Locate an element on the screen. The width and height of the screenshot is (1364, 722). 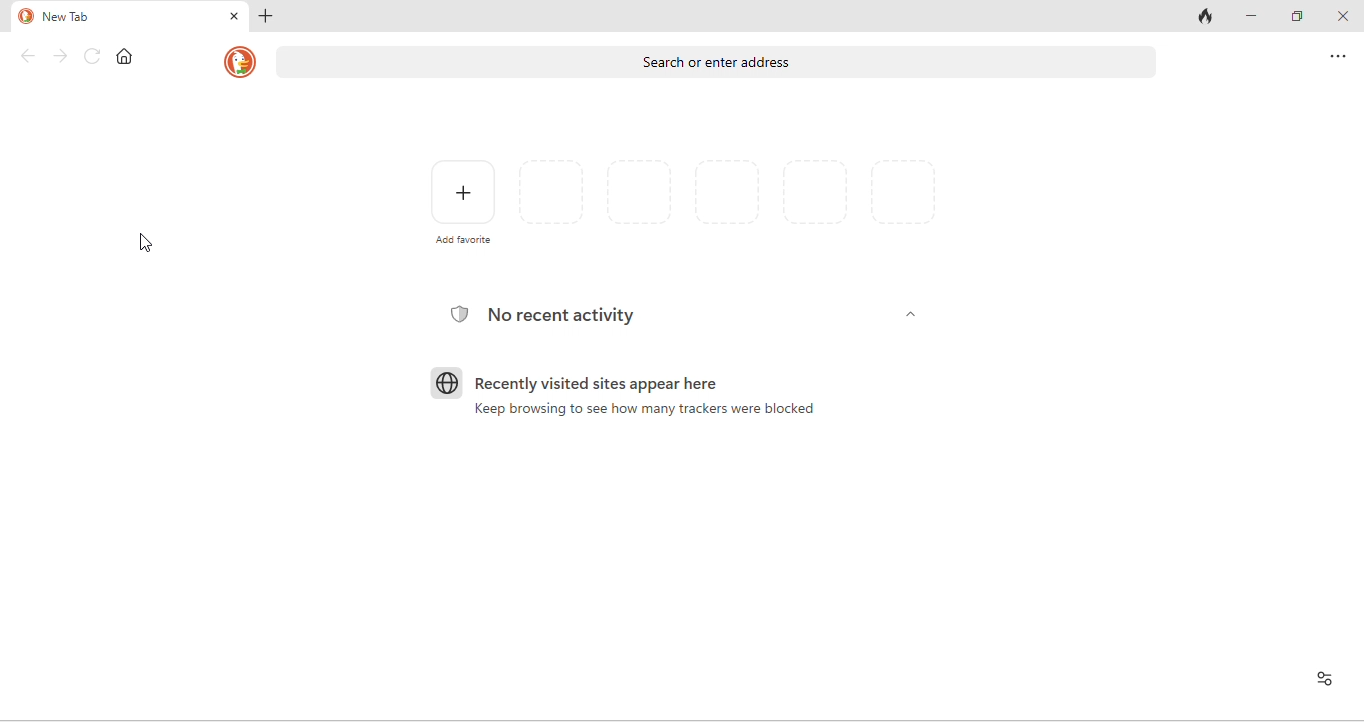
maximize is located at coordinates (1298, 17).